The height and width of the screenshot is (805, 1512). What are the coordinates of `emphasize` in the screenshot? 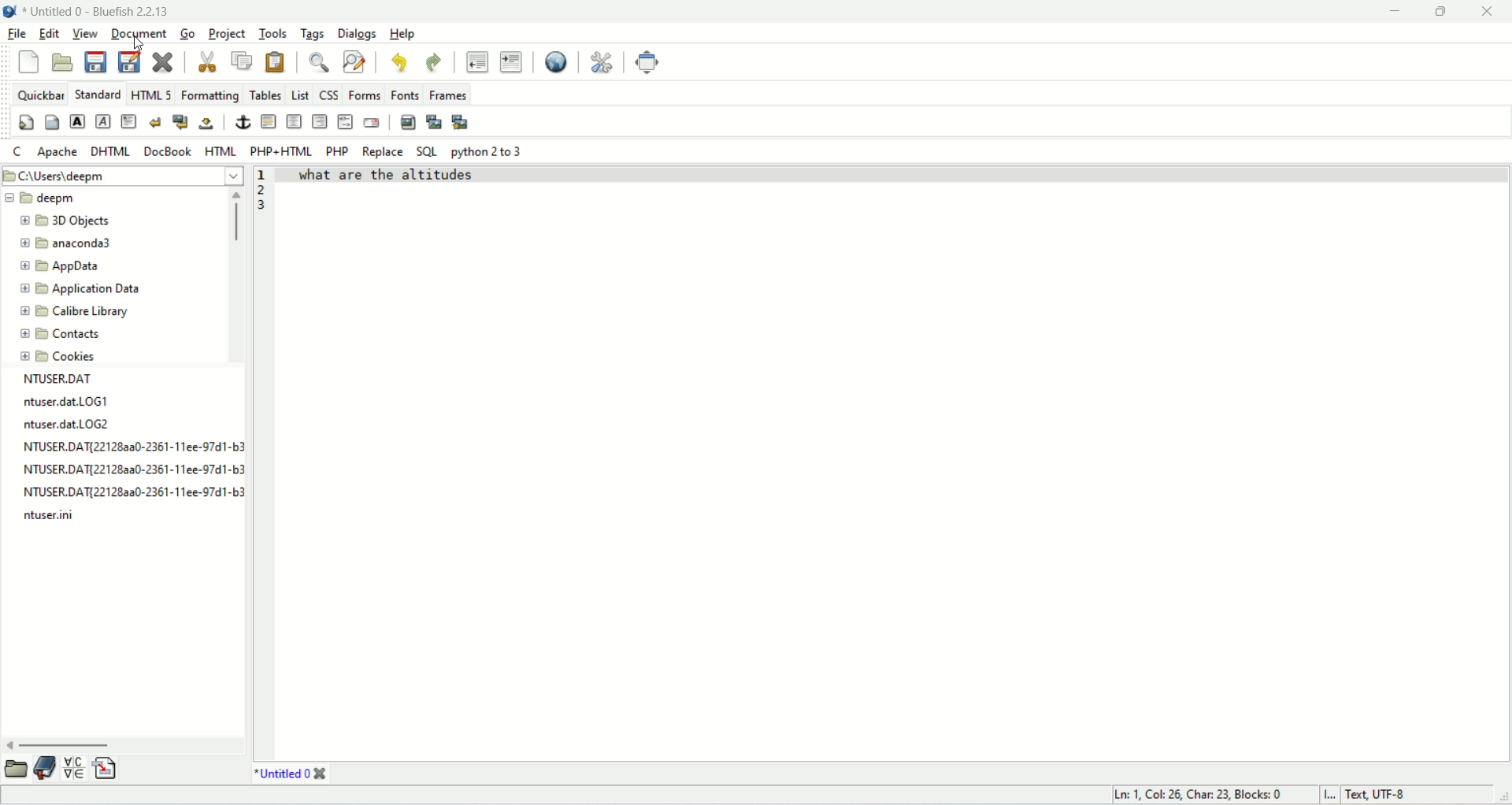 It's located at (105, 121).